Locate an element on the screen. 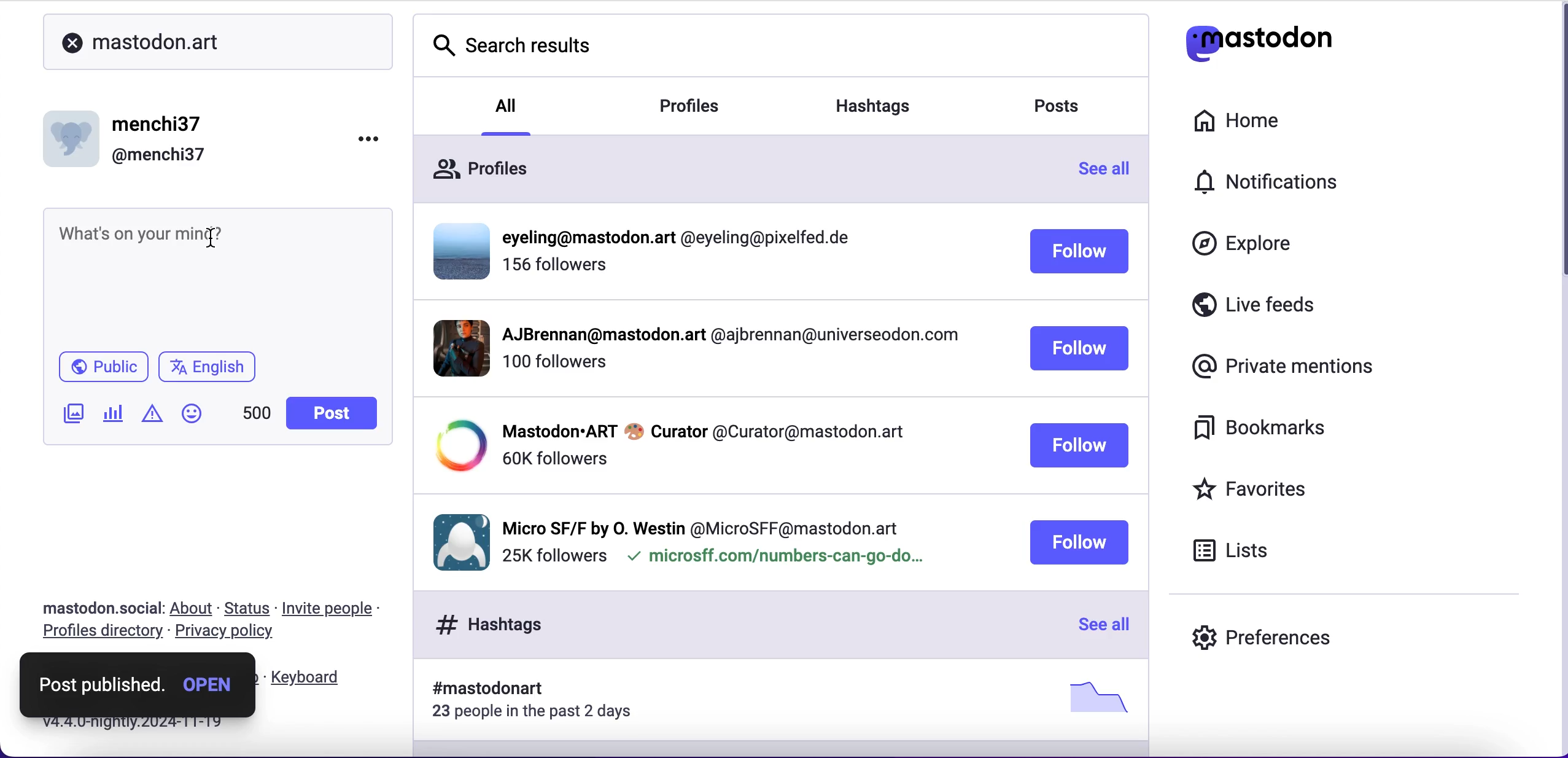 This screenshot has width=1568, height=758. mastodon.art is located at coordinates (136, 41).